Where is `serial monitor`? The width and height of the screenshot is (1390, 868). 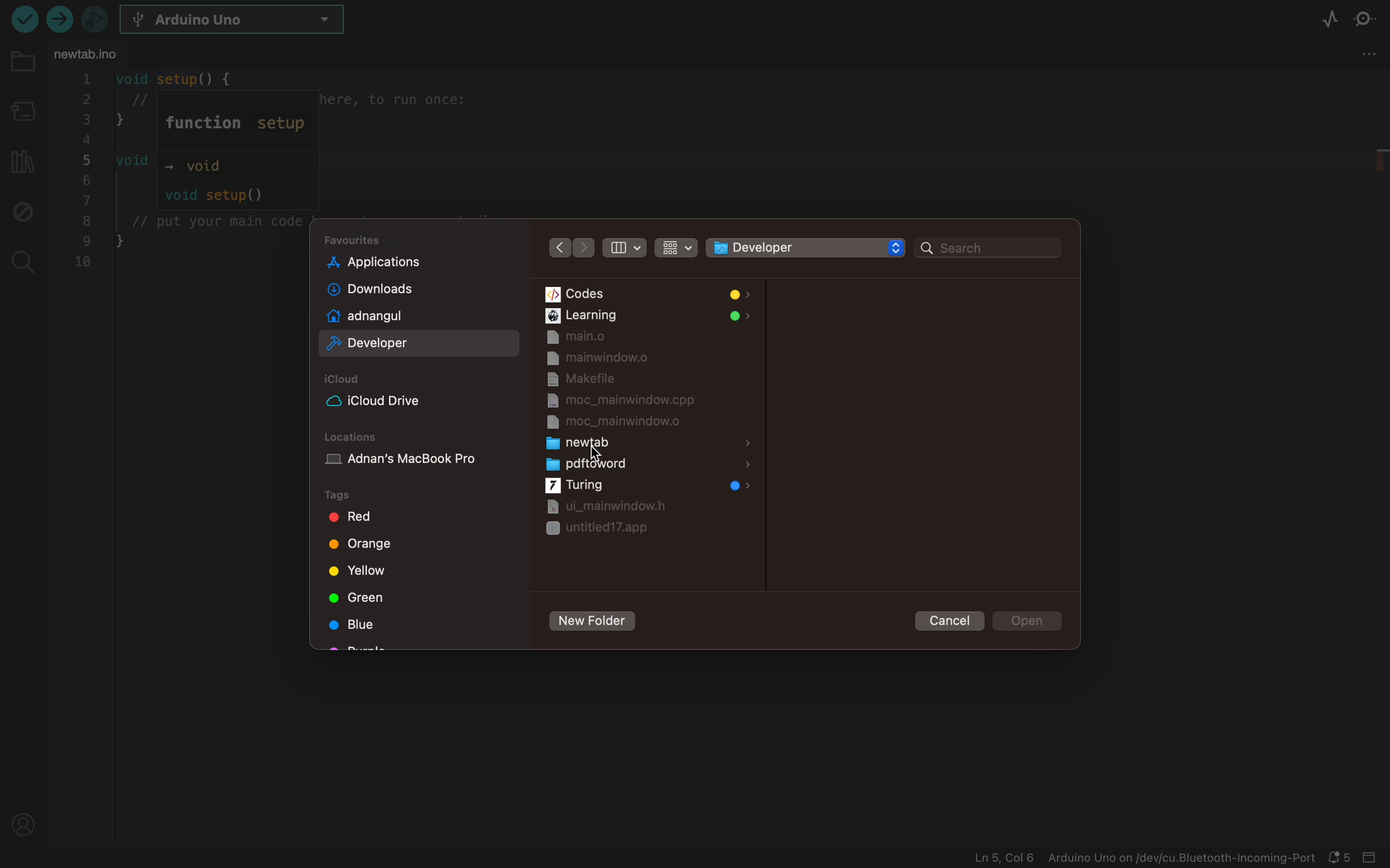 serial monitor is located at coordinates (1370, 20).